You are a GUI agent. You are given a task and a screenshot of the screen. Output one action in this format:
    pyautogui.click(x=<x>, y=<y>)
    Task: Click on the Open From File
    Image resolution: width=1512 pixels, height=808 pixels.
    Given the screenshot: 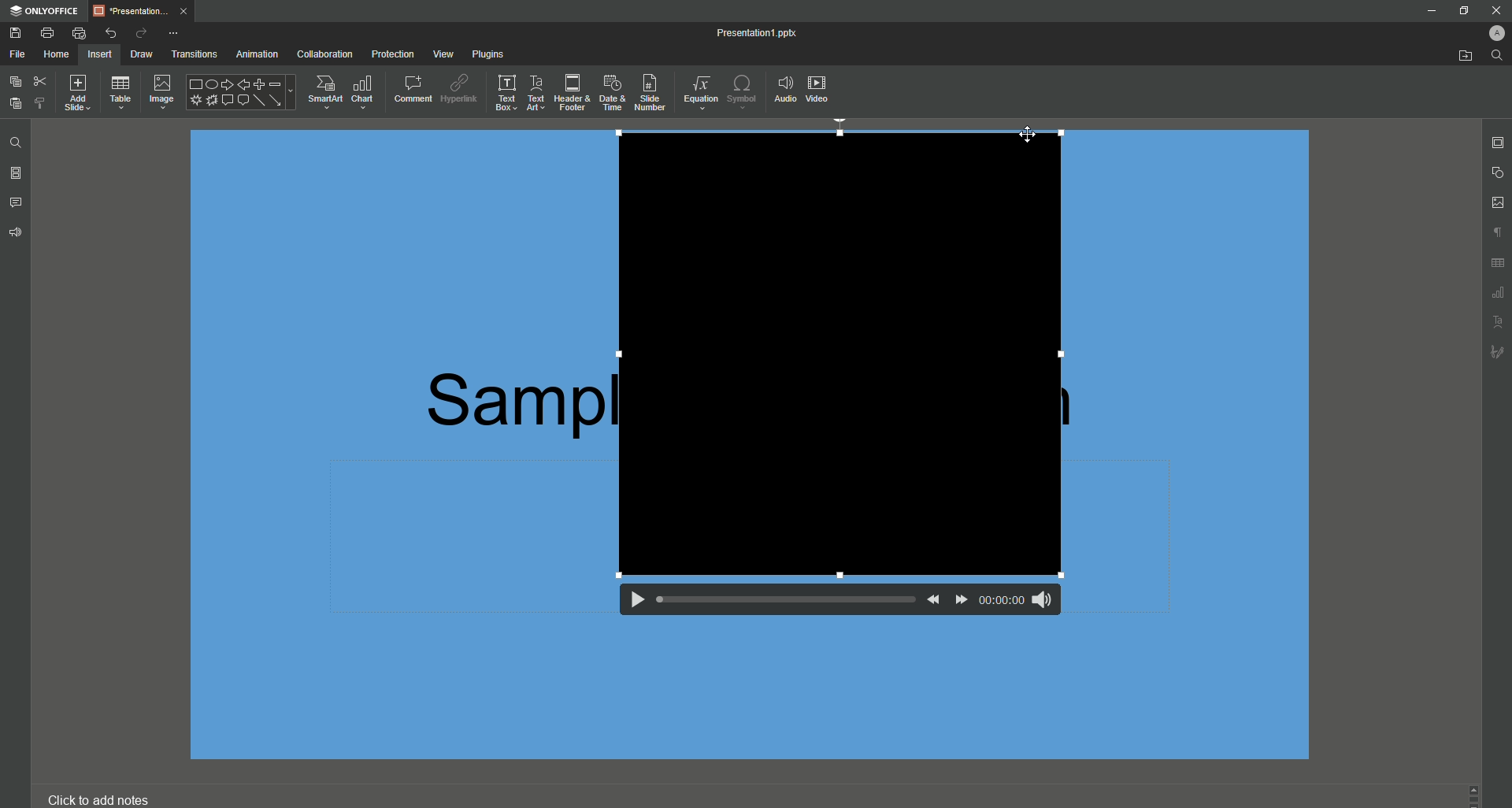 What is the action you would take?
    pyautogui.click(x=1462, y=55)
    